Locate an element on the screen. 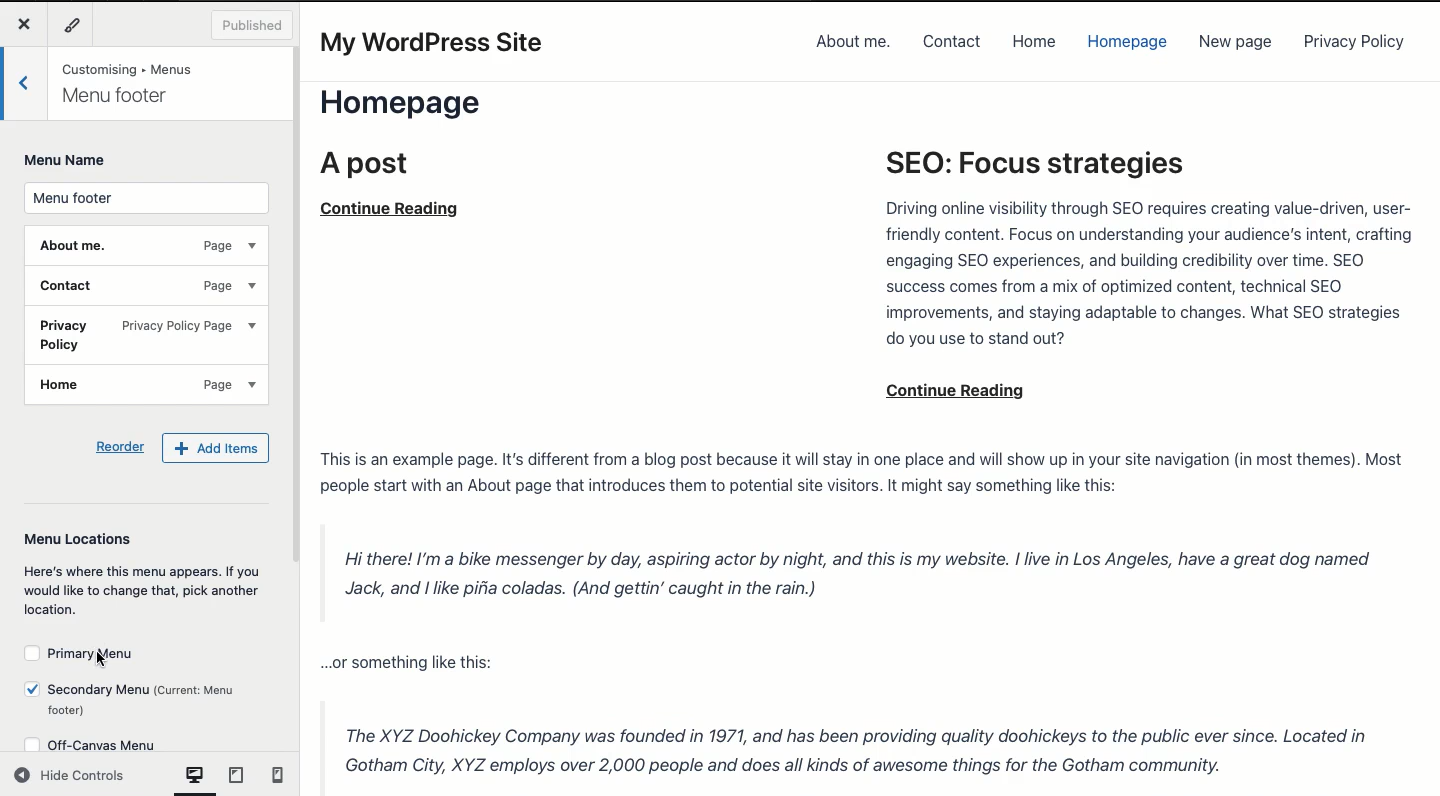 The image size is (1440, 796). Primary menu is located at coordinates (81, 655).